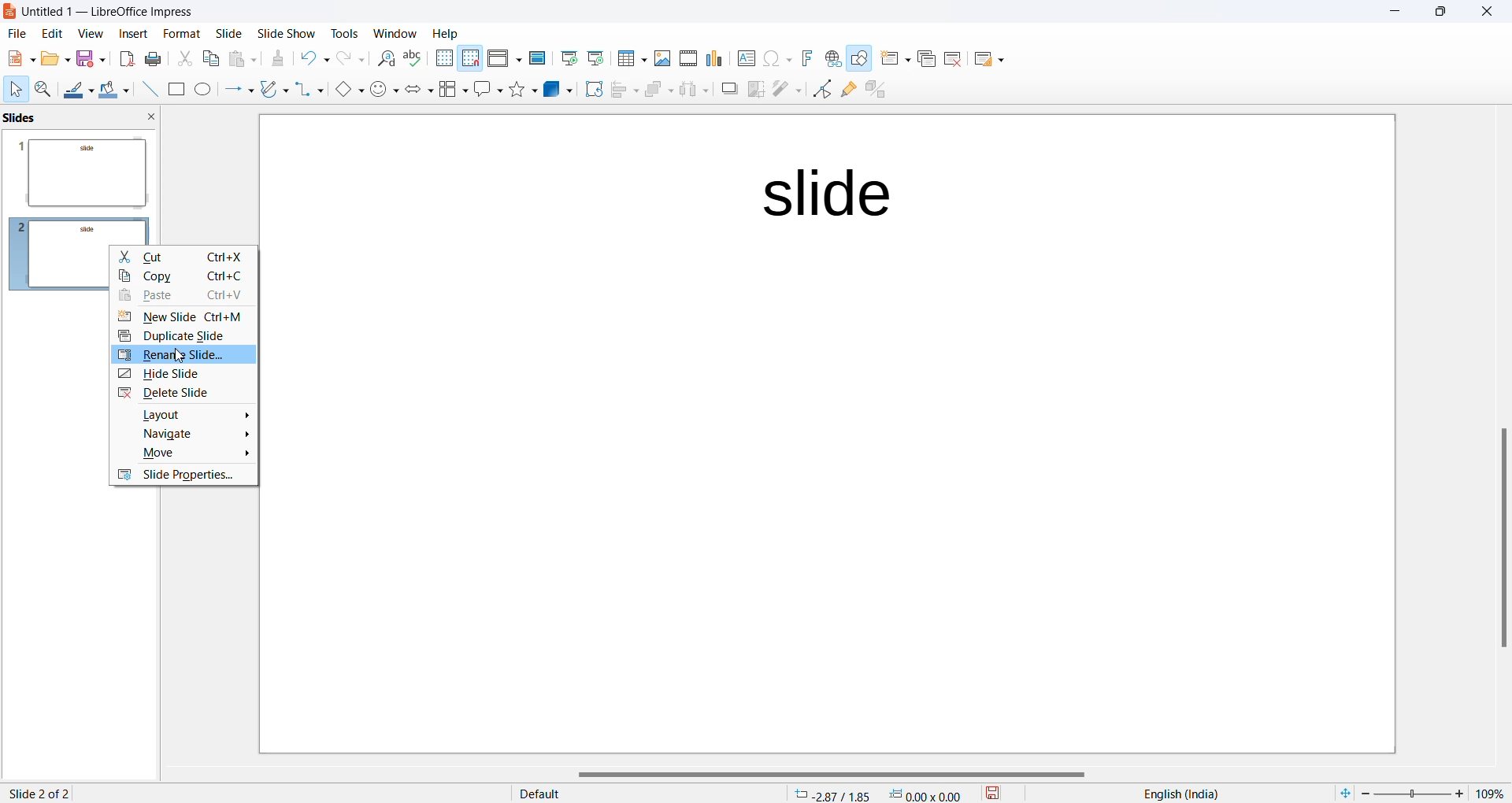 The image size is (1512, 803). What do you see at coordinates (187, 477) in the screenshot?
I see `slide properties` at bounding box center [187, 477].